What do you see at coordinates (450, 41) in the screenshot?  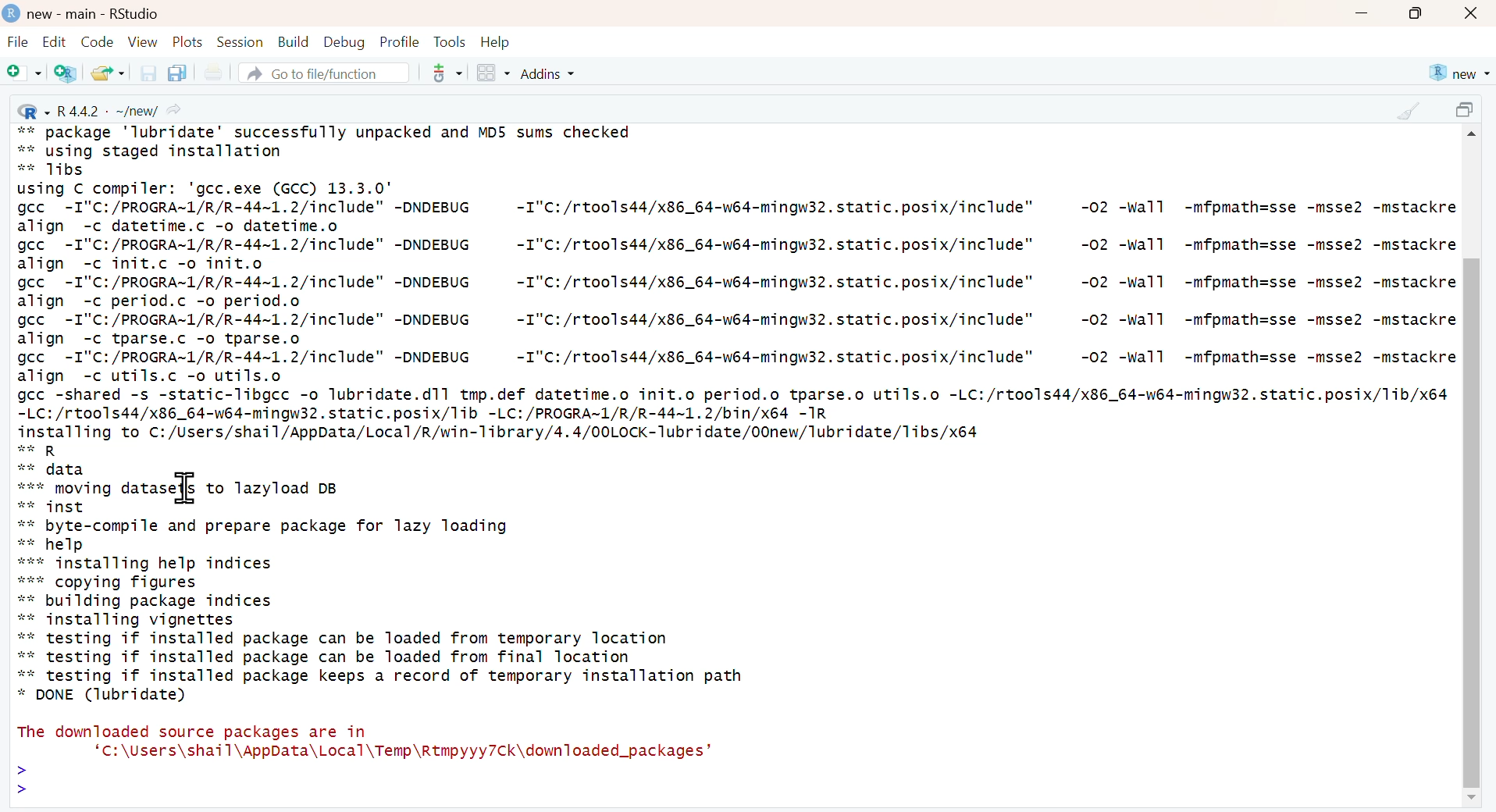 I see `Tools` at bounding box center [450, 41].